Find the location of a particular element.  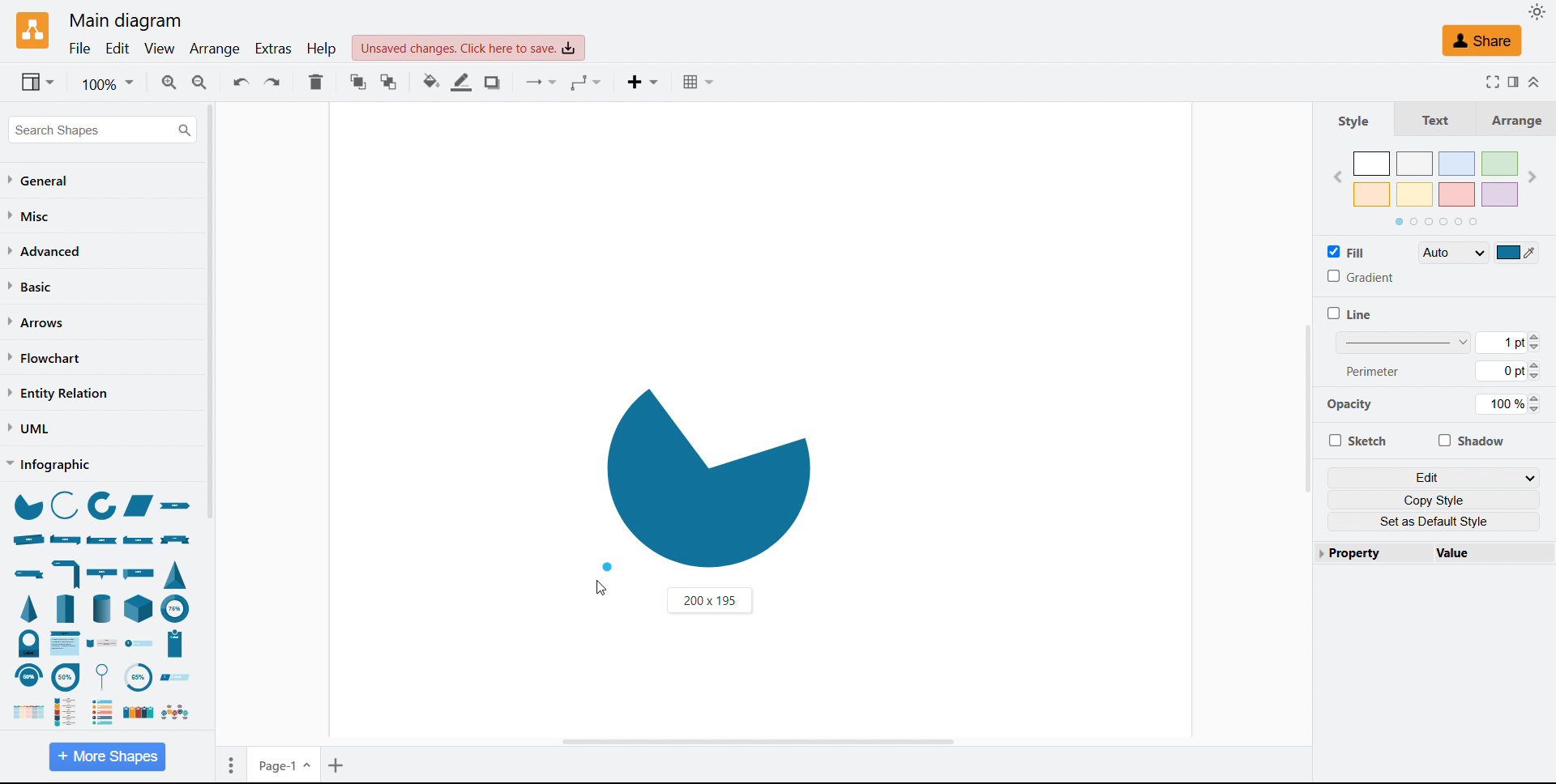

Search shapes  is located at coordinates (102, 130).